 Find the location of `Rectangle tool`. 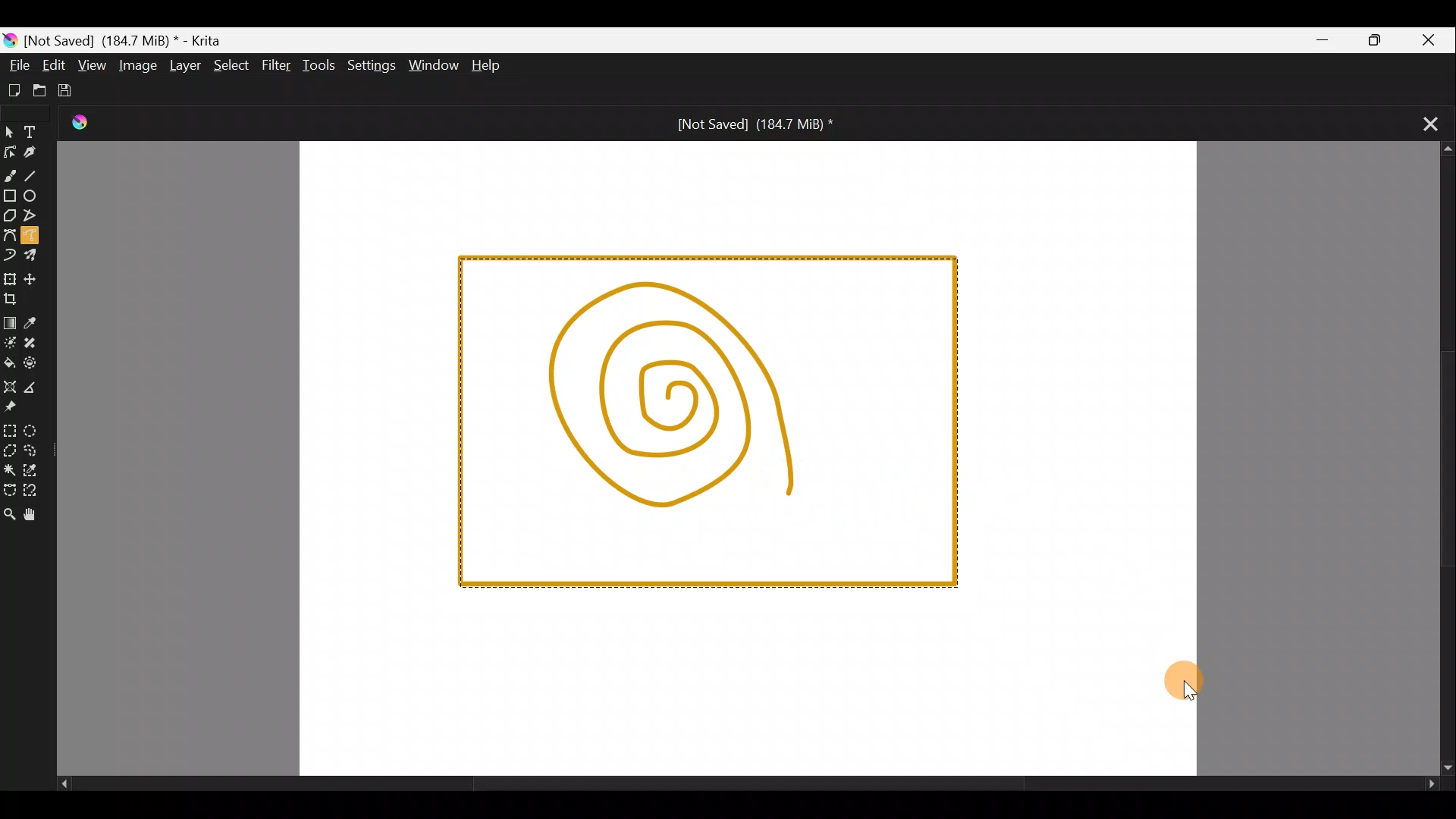

Rectangle tool is located at coordinates (9, 196).